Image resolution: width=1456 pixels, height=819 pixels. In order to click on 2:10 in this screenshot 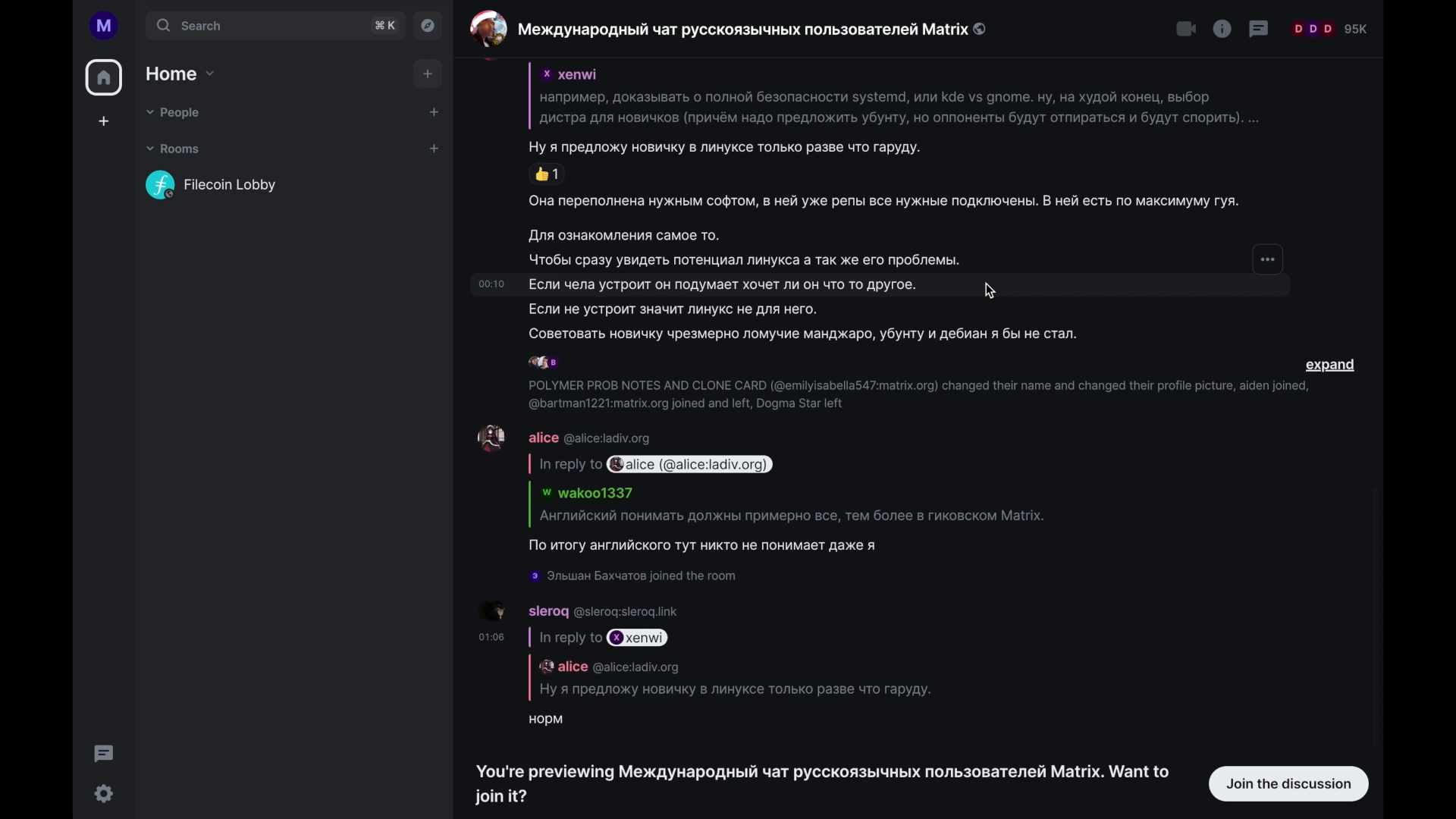, I will do `click(491, 283)`.